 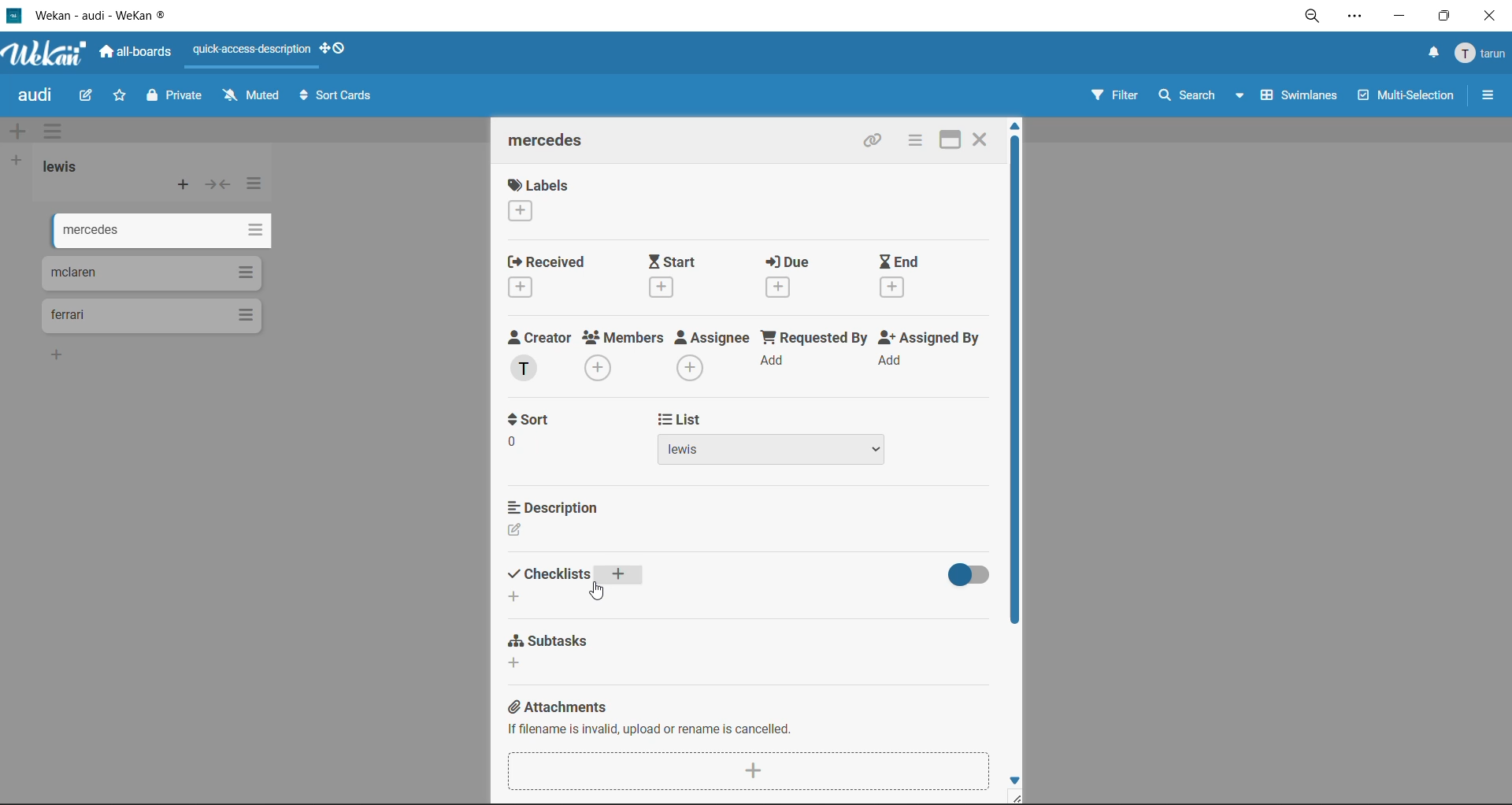 I want to click on search, so click(x=1196, y=96).